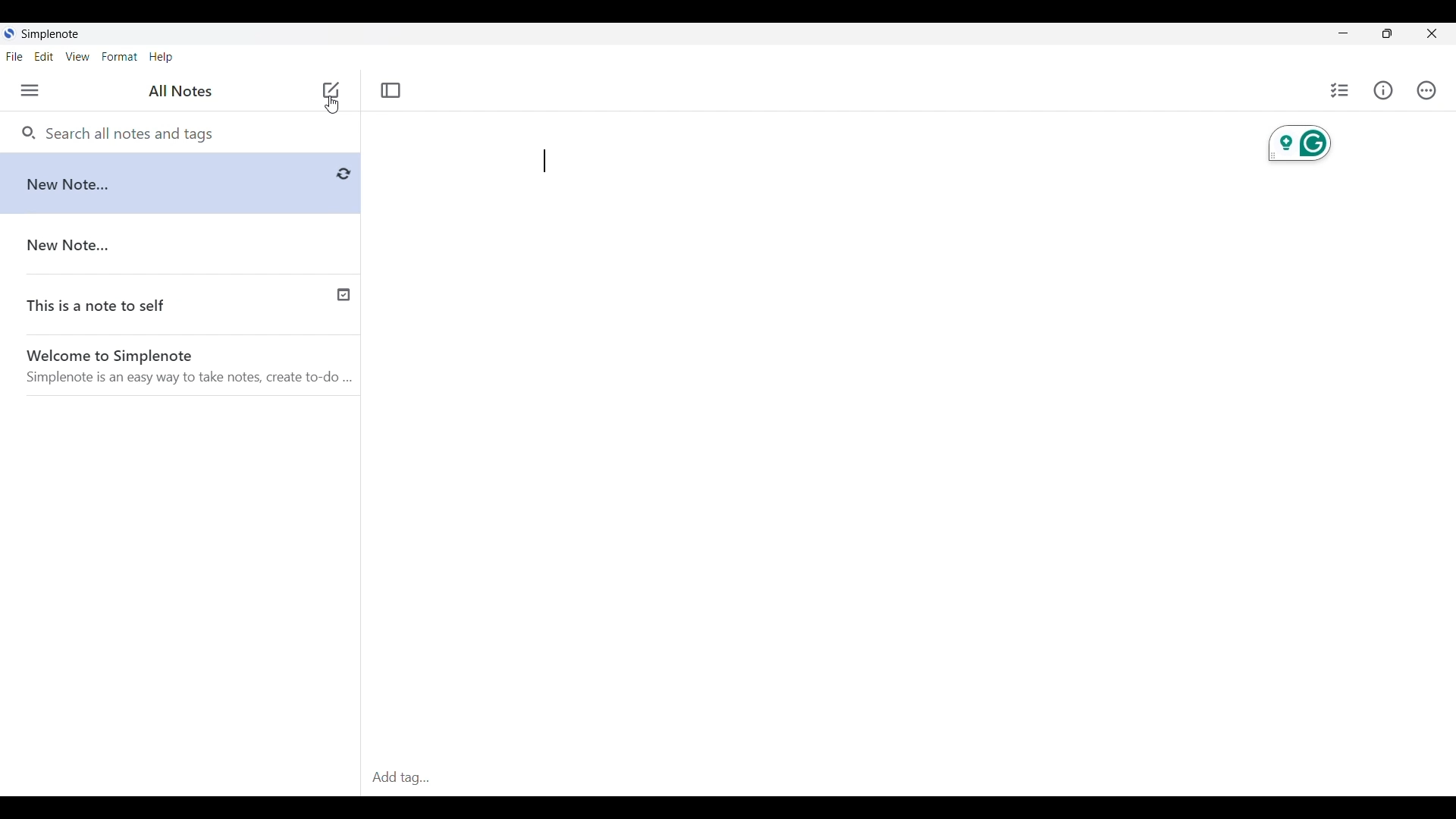 This screenshot has width=1456, height=819. What do you see at coordinates (180, 91) in the screenshot?
I see `All Notes(Title of left side panel)` at bounding box center [180, 91].